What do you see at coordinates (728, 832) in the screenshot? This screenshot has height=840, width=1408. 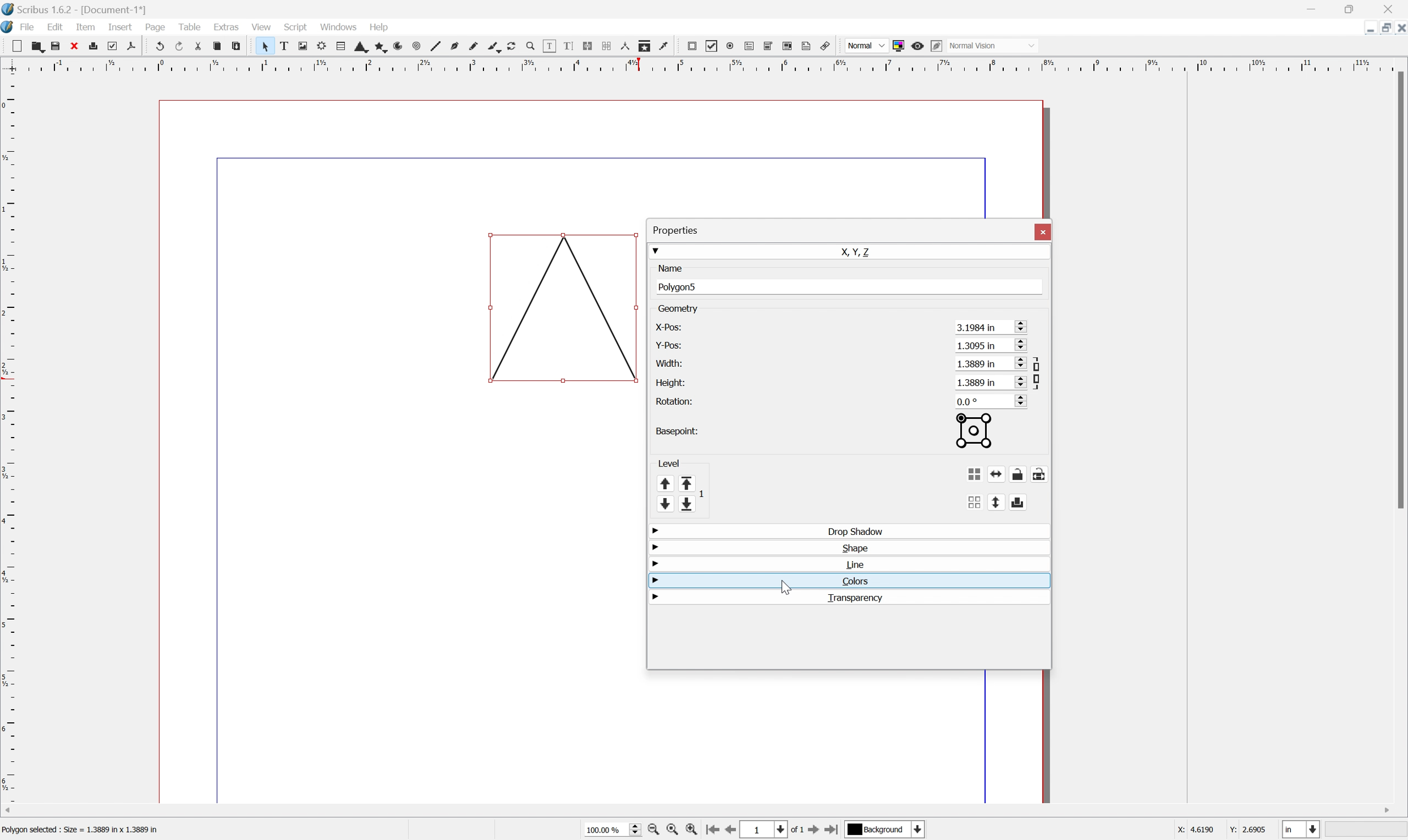 I see `Go to previous page` at bounding box center [728, 832].